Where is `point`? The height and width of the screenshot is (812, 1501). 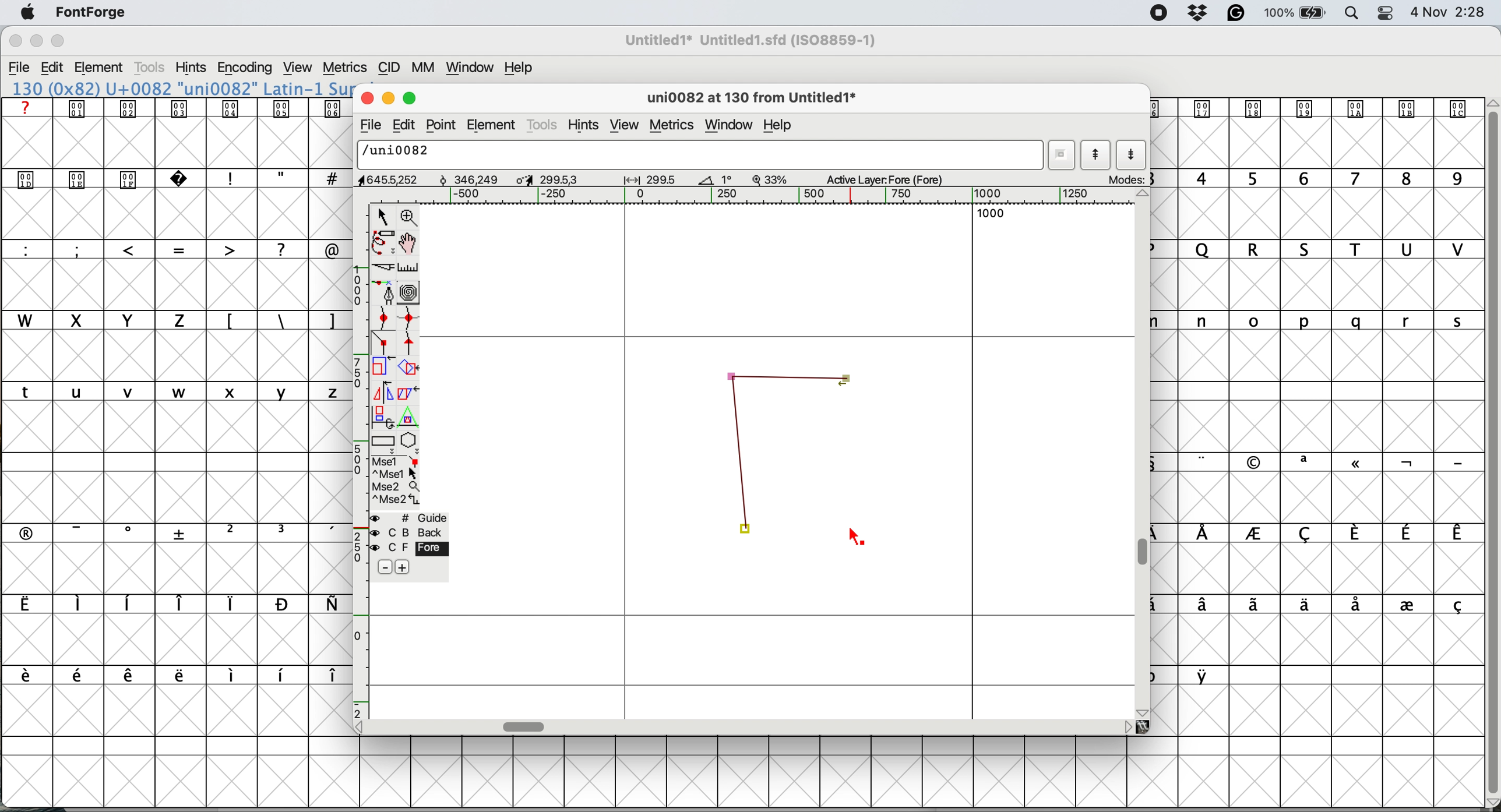
point is located at coordinates (442, 125).